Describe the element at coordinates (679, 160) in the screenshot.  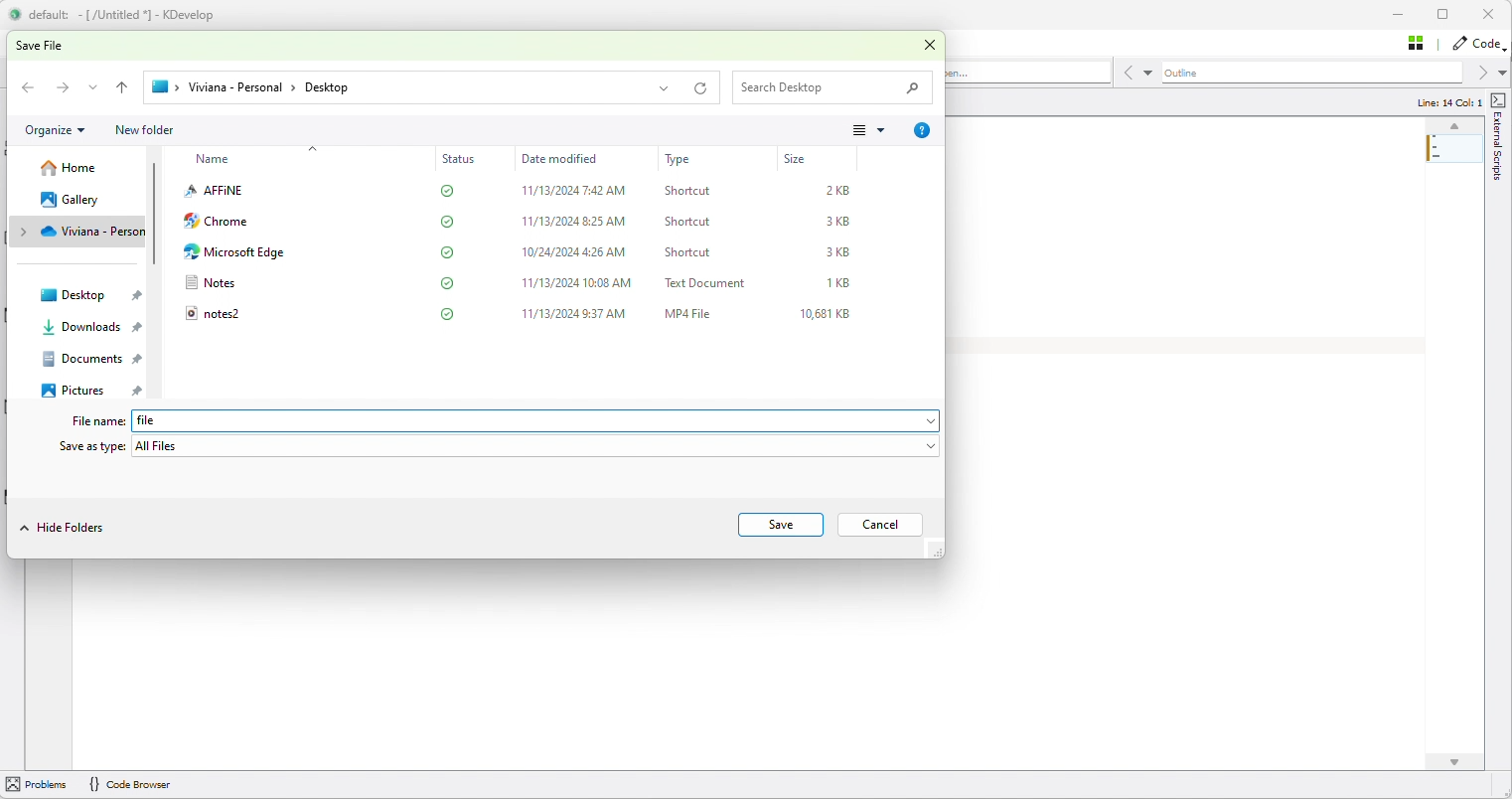
I see `Type` at that location.